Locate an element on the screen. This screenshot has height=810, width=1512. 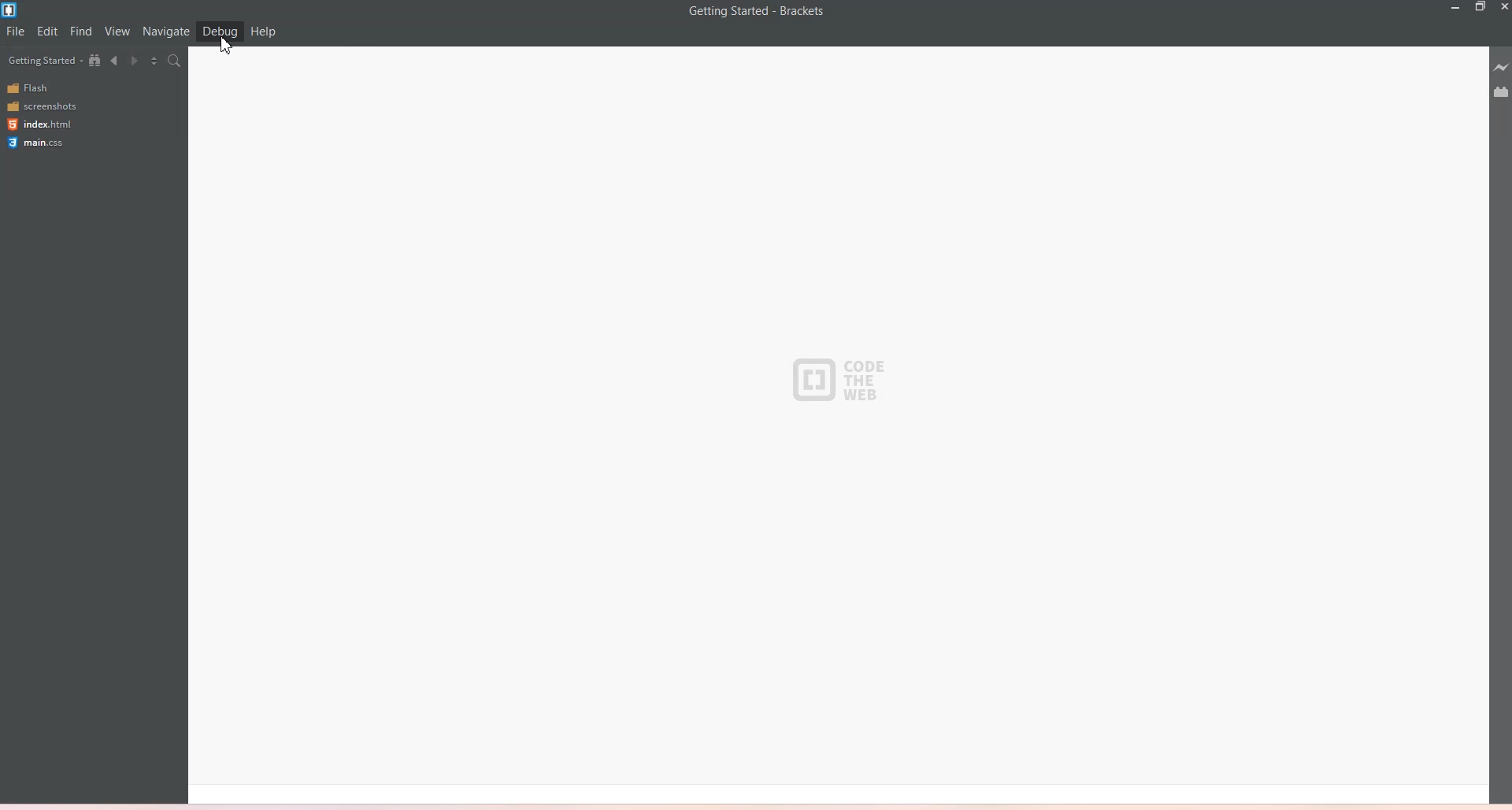
Getting Started is located at coordinates (45, 60).